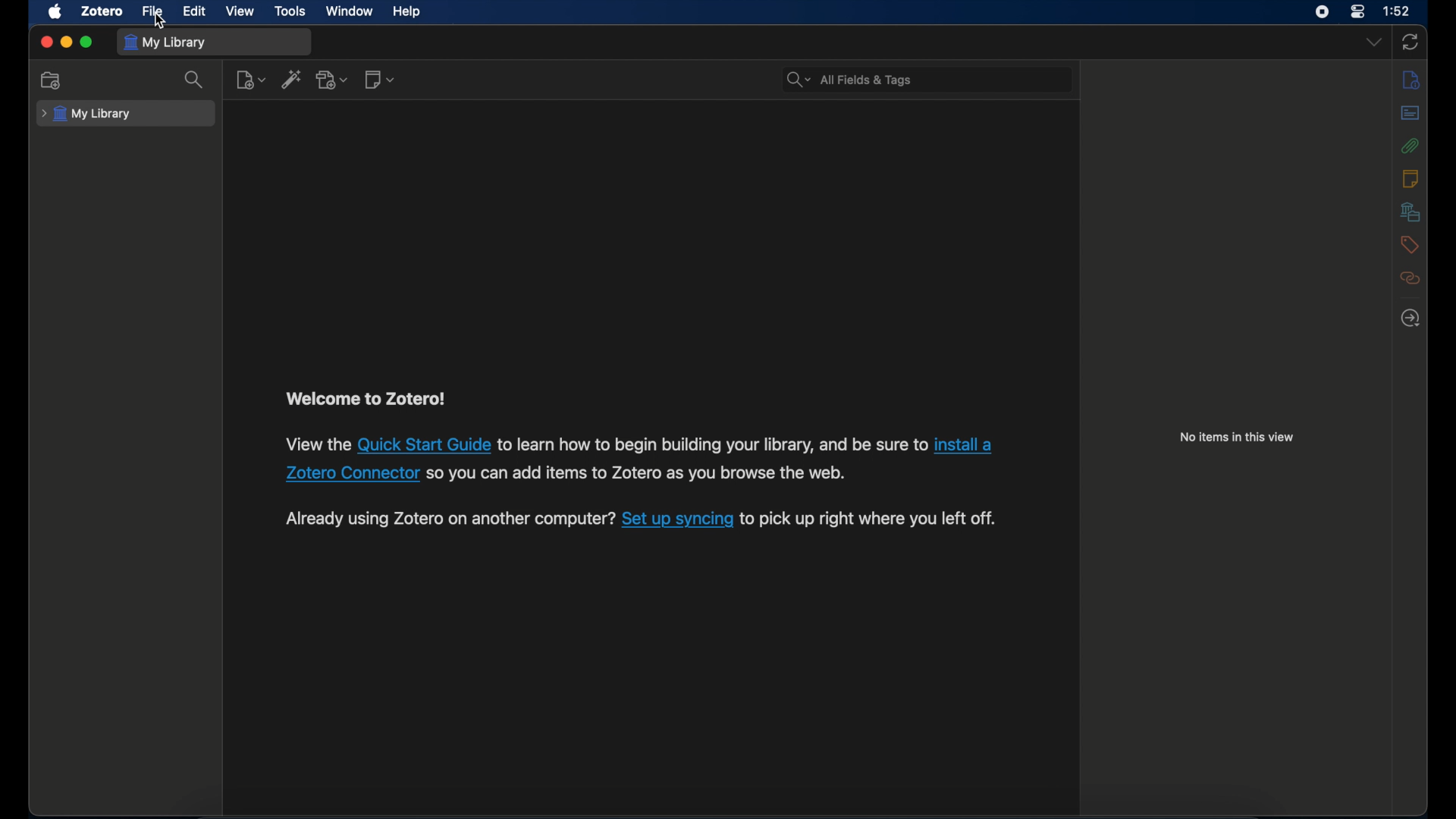 This screenshot has width=1456, height=819. I want to click on screen recorder, so click(1321, 13).